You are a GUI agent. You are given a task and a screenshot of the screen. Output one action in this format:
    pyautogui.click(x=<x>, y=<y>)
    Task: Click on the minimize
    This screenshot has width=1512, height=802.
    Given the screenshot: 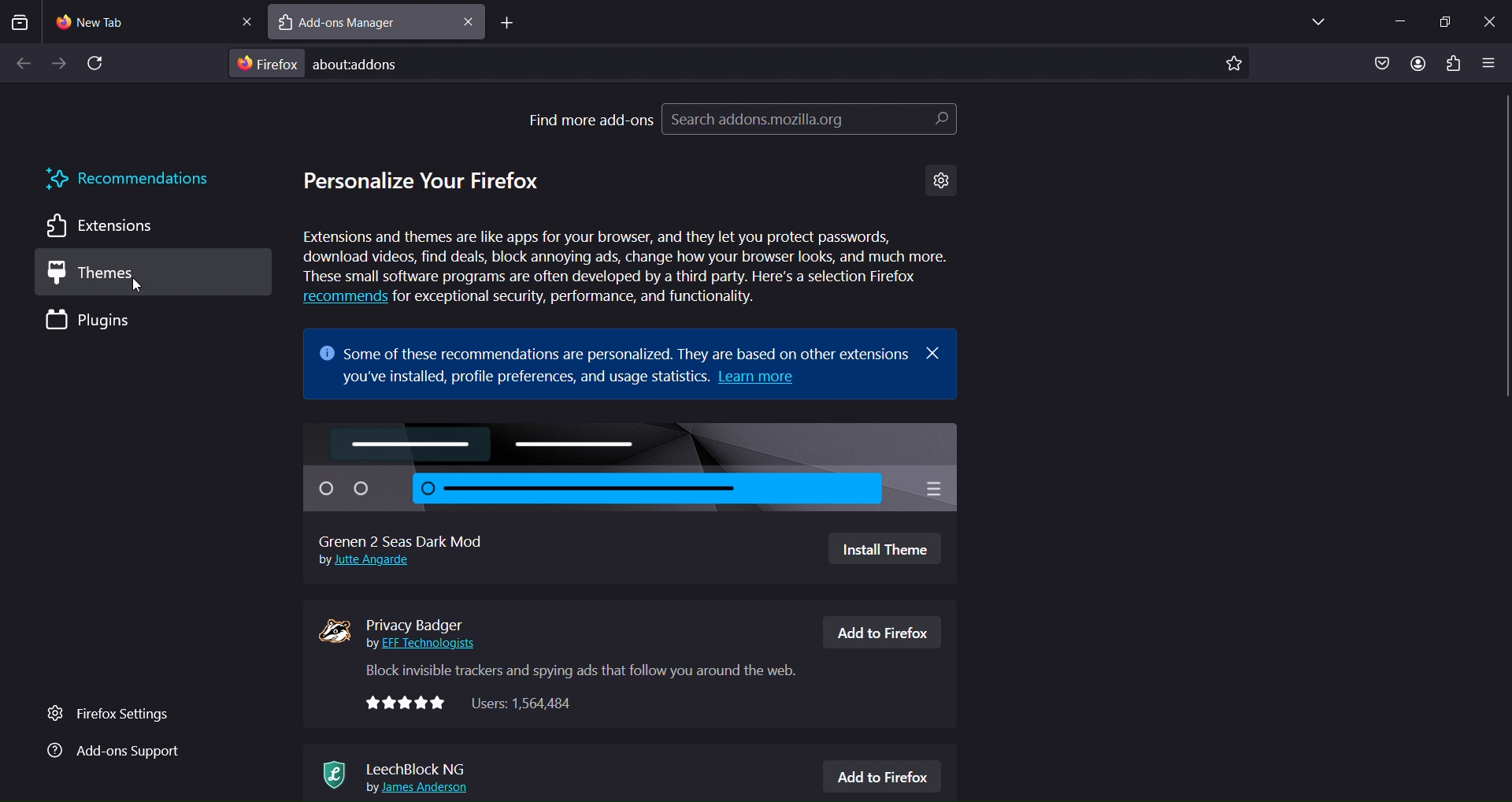 What is the action you would take?
    pyautogui.click(x=1395, y=22)
    